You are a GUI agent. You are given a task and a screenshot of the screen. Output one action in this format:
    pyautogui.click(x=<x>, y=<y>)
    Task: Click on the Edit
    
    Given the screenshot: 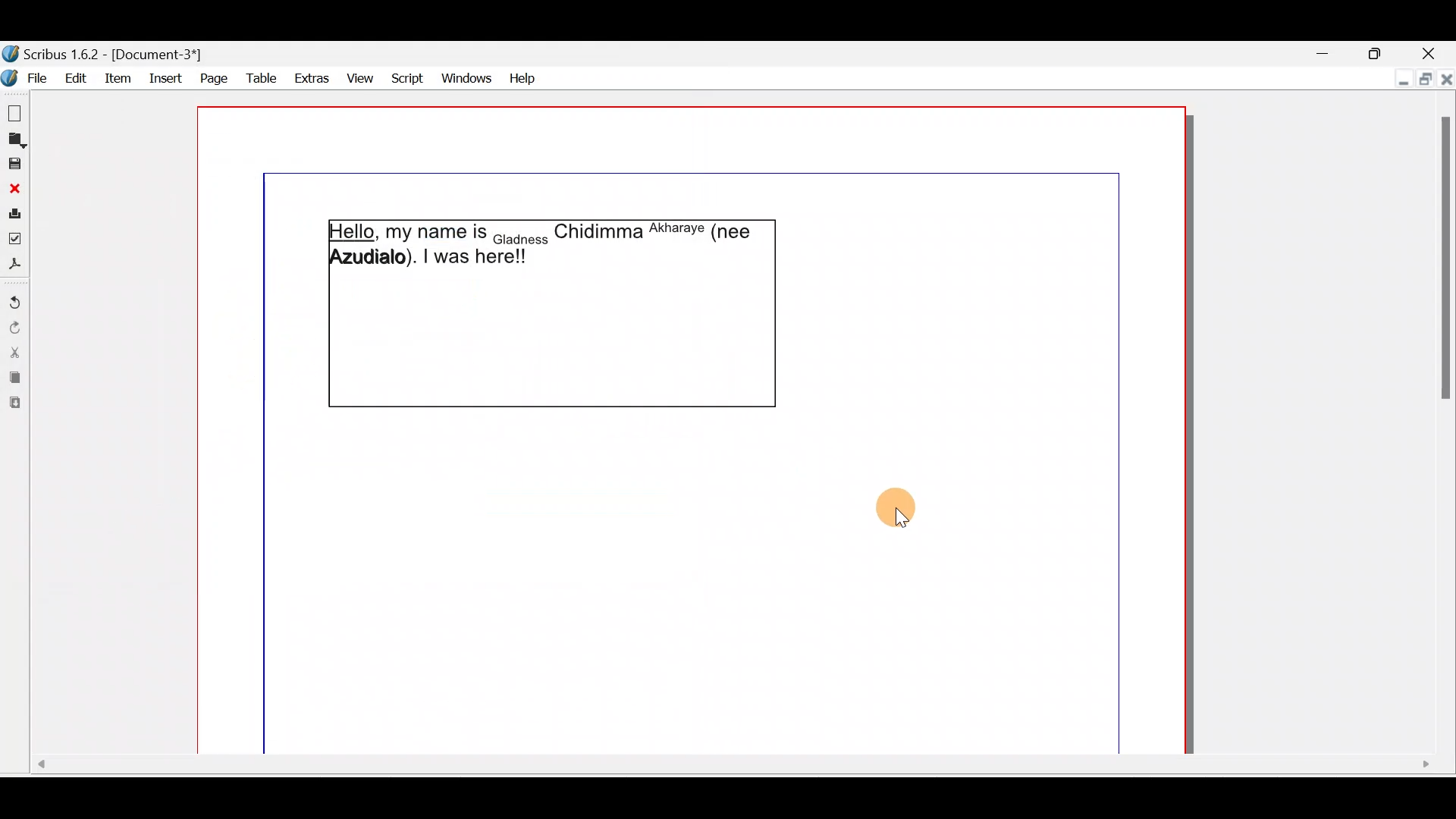 What is the action you would take?
    pyautogui.click(x=77, y=77)
    